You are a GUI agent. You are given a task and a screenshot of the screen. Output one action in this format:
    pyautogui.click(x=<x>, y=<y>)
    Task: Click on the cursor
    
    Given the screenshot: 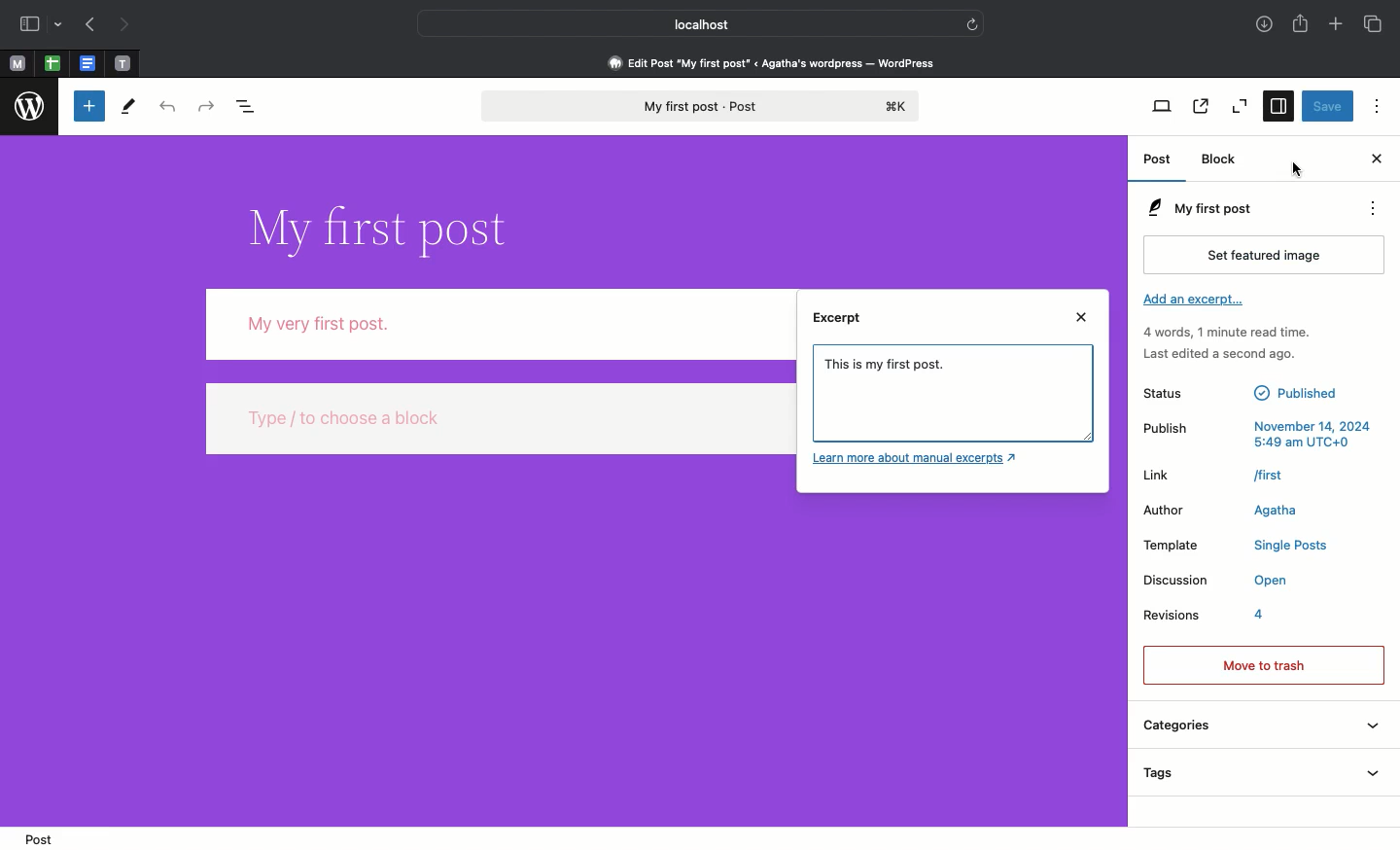 What is the action you would take?
    pyautogui.click(x=1295, y=169)
    